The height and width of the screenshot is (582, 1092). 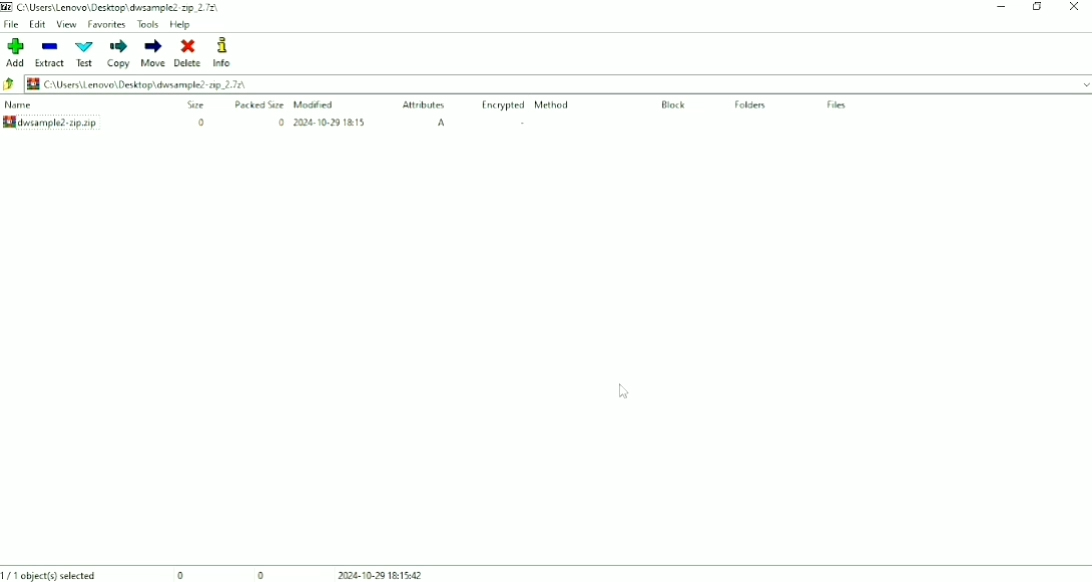 I want to click on 0, so click(x=280, y=123).